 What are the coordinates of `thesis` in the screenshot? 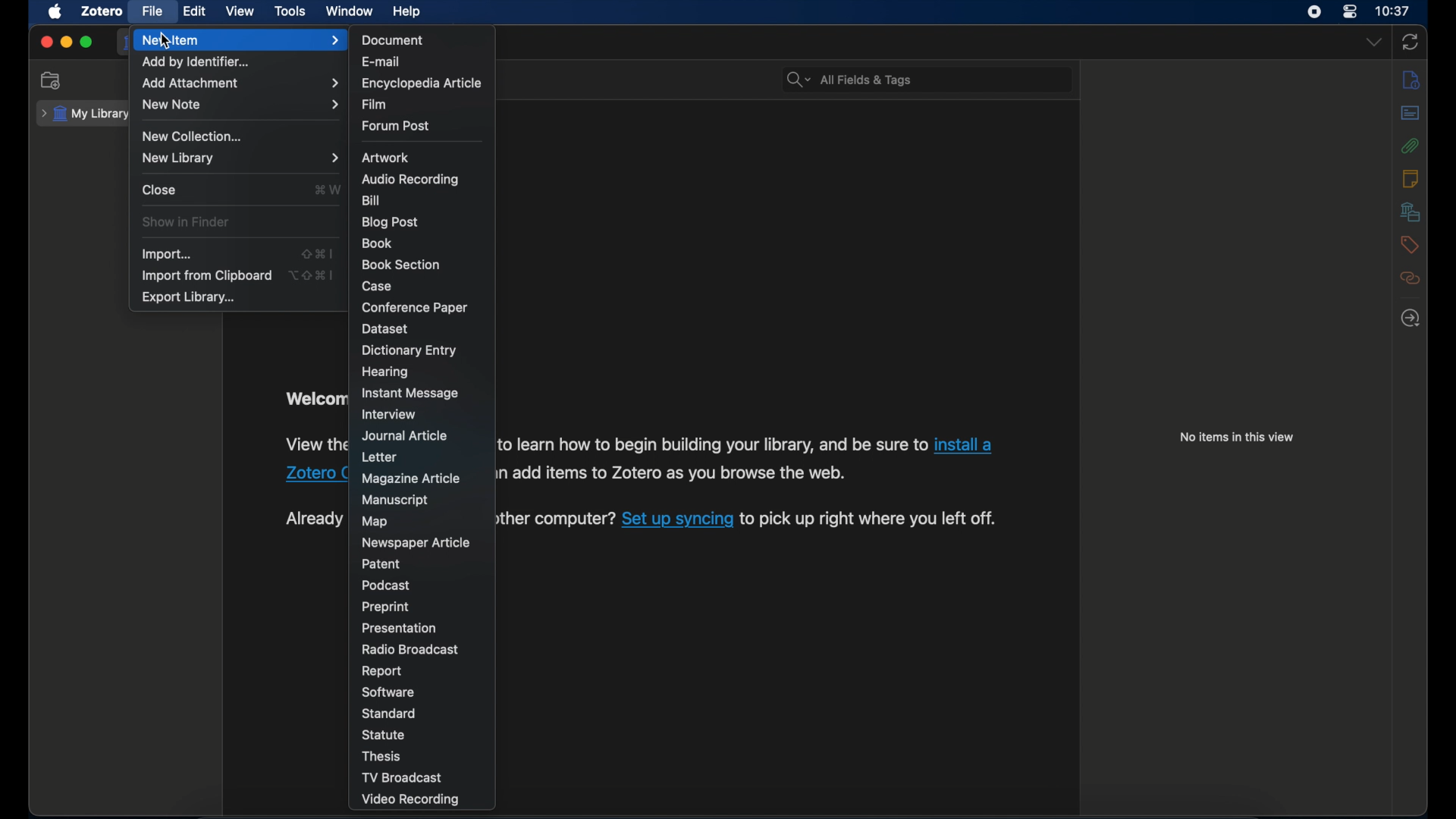 It's located at (381, 757).